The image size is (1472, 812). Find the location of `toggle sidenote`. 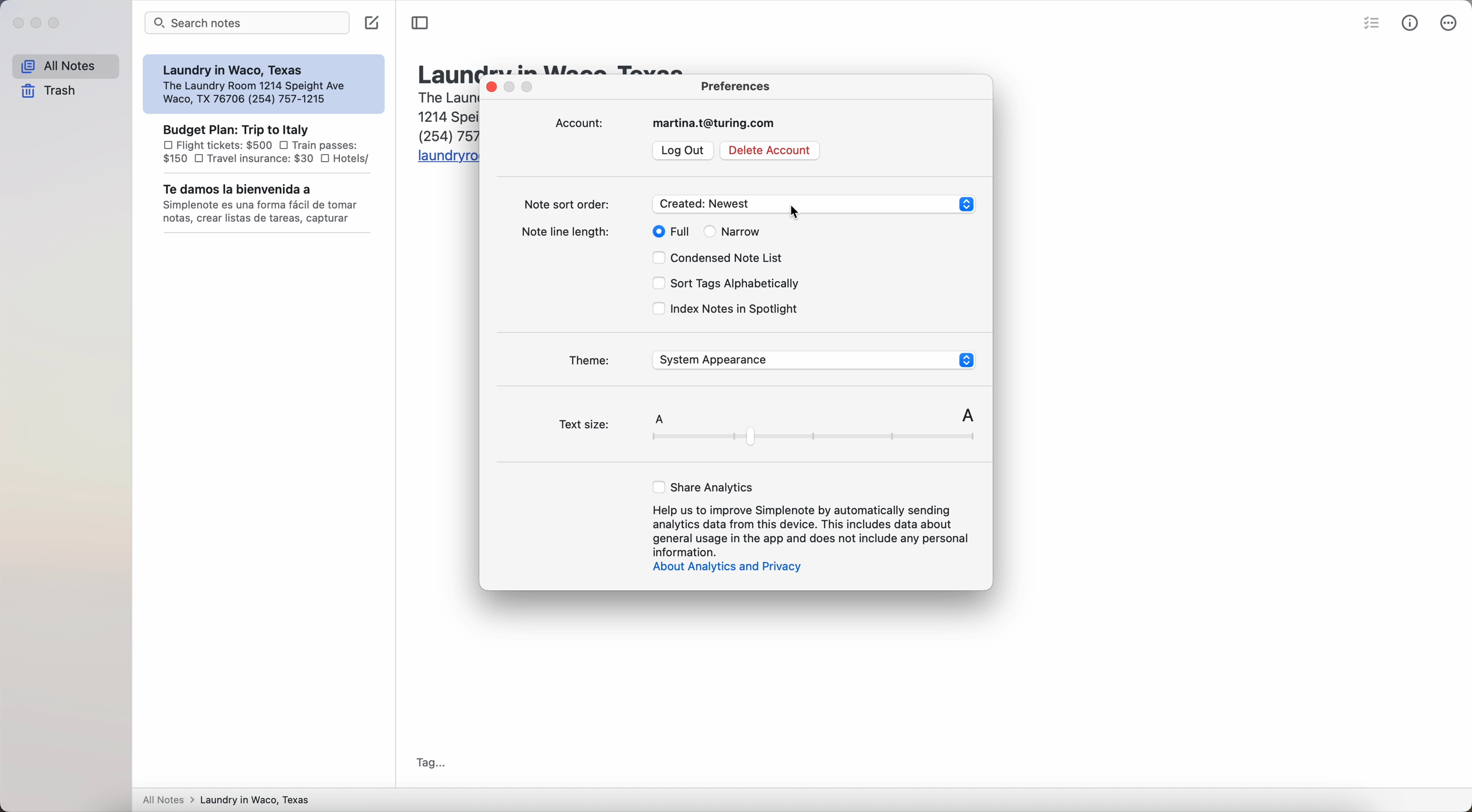

toggle sidenote is located at coordinates (419, 23).